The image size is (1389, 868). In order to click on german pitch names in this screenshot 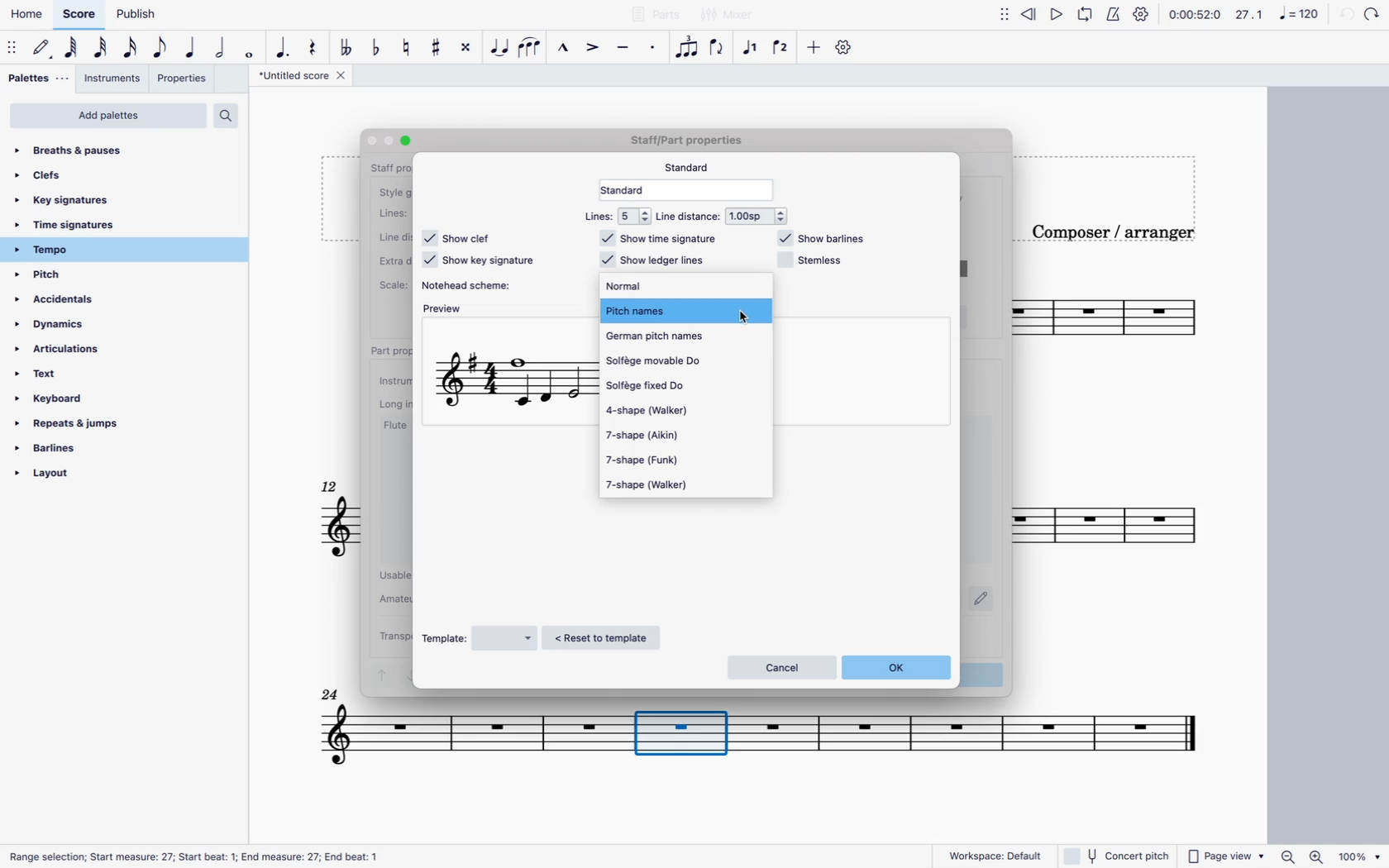, I will do `click(673, 336)`.